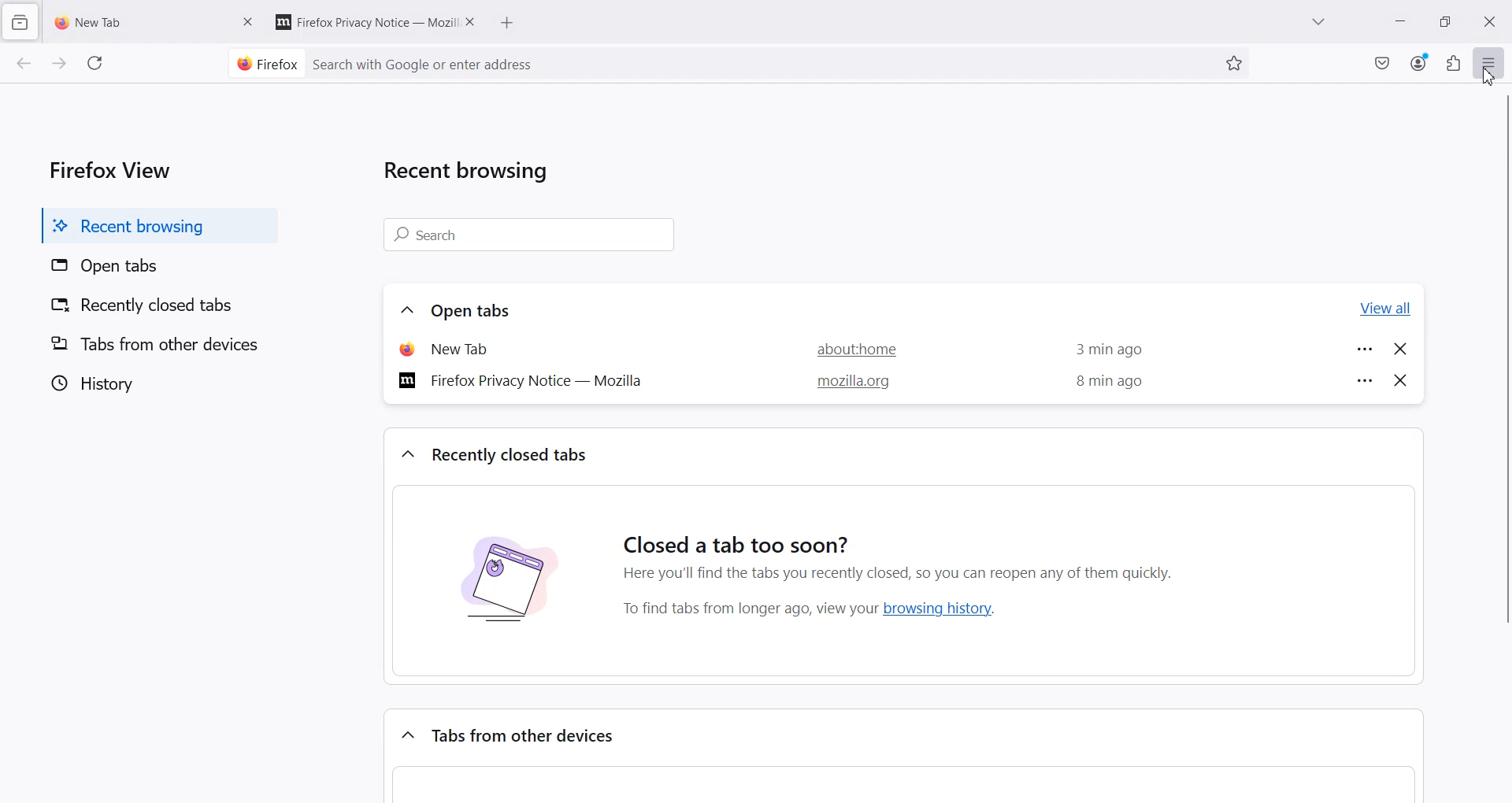 The height and width of the screenshot is (803, 1512). I want to click on Drop down box of tabs of other devices, so click(405, 732).